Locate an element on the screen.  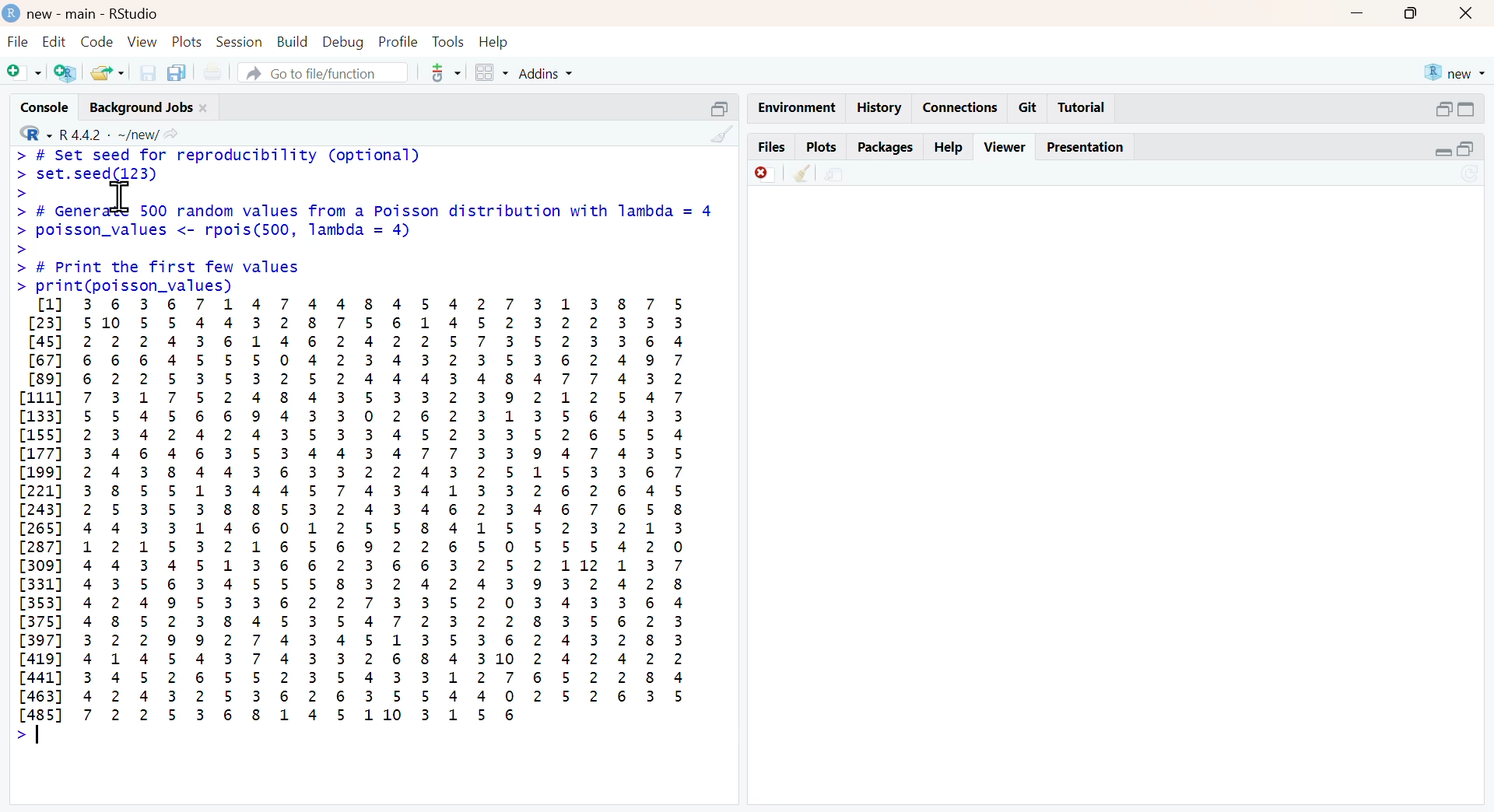
> # set seed for reproducibility (optional)> set. seed(123)> is located at coordinates (217, 173).